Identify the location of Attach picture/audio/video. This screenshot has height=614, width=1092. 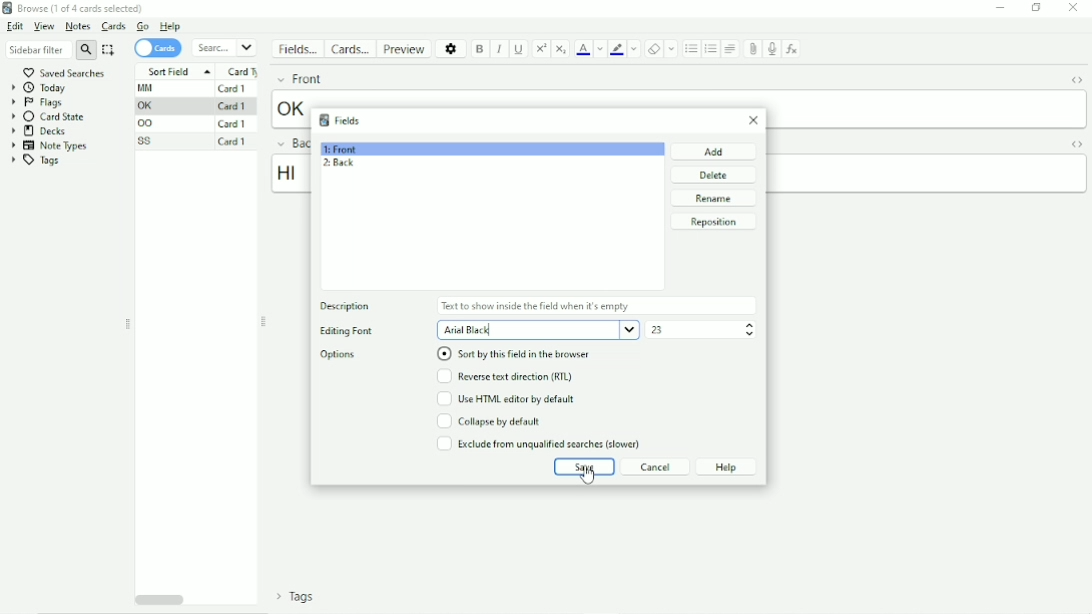
(754, 49).